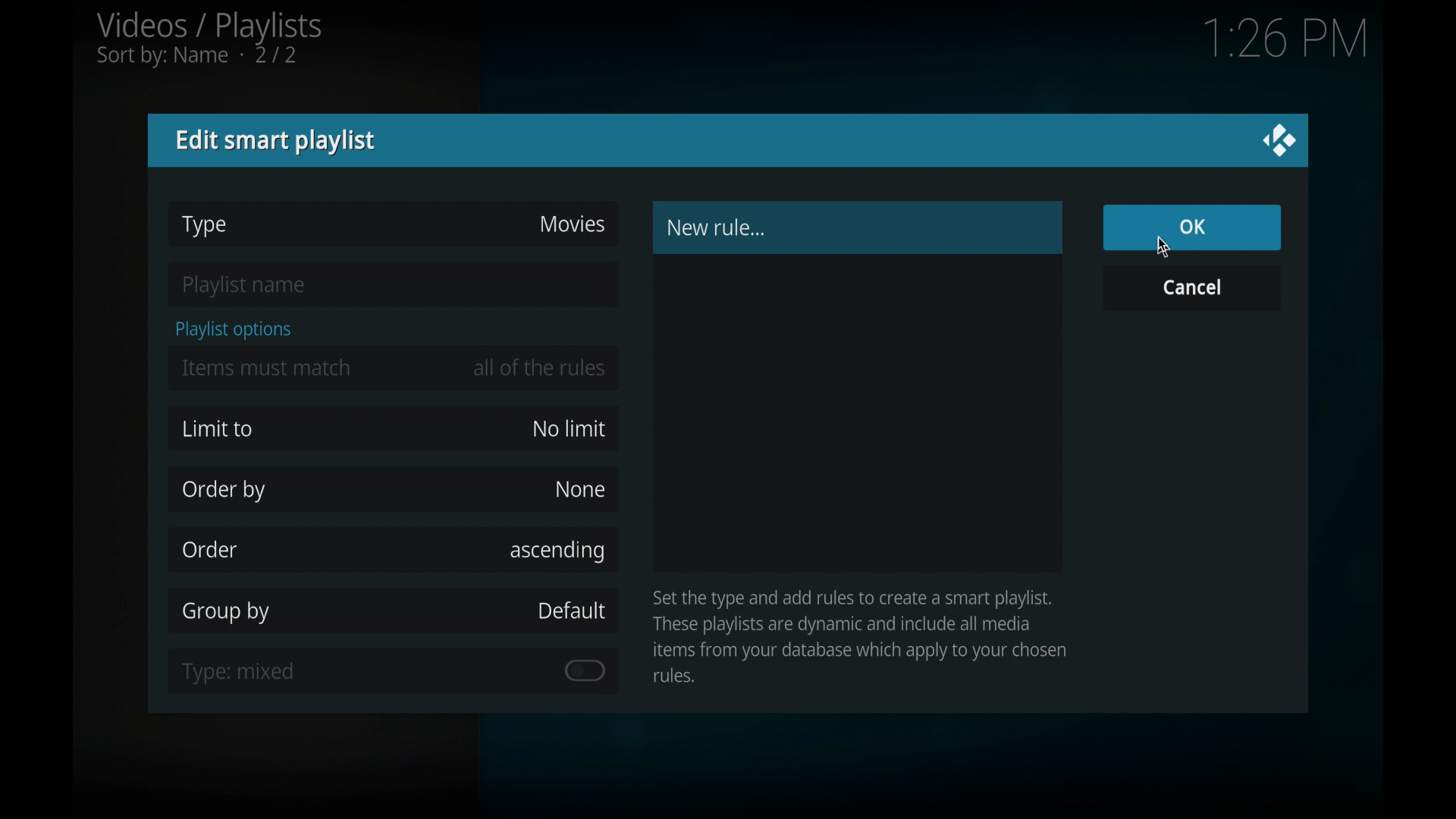 The width and height of the screenshot is (1456, 819). I want to click on none, so click(579, 488).